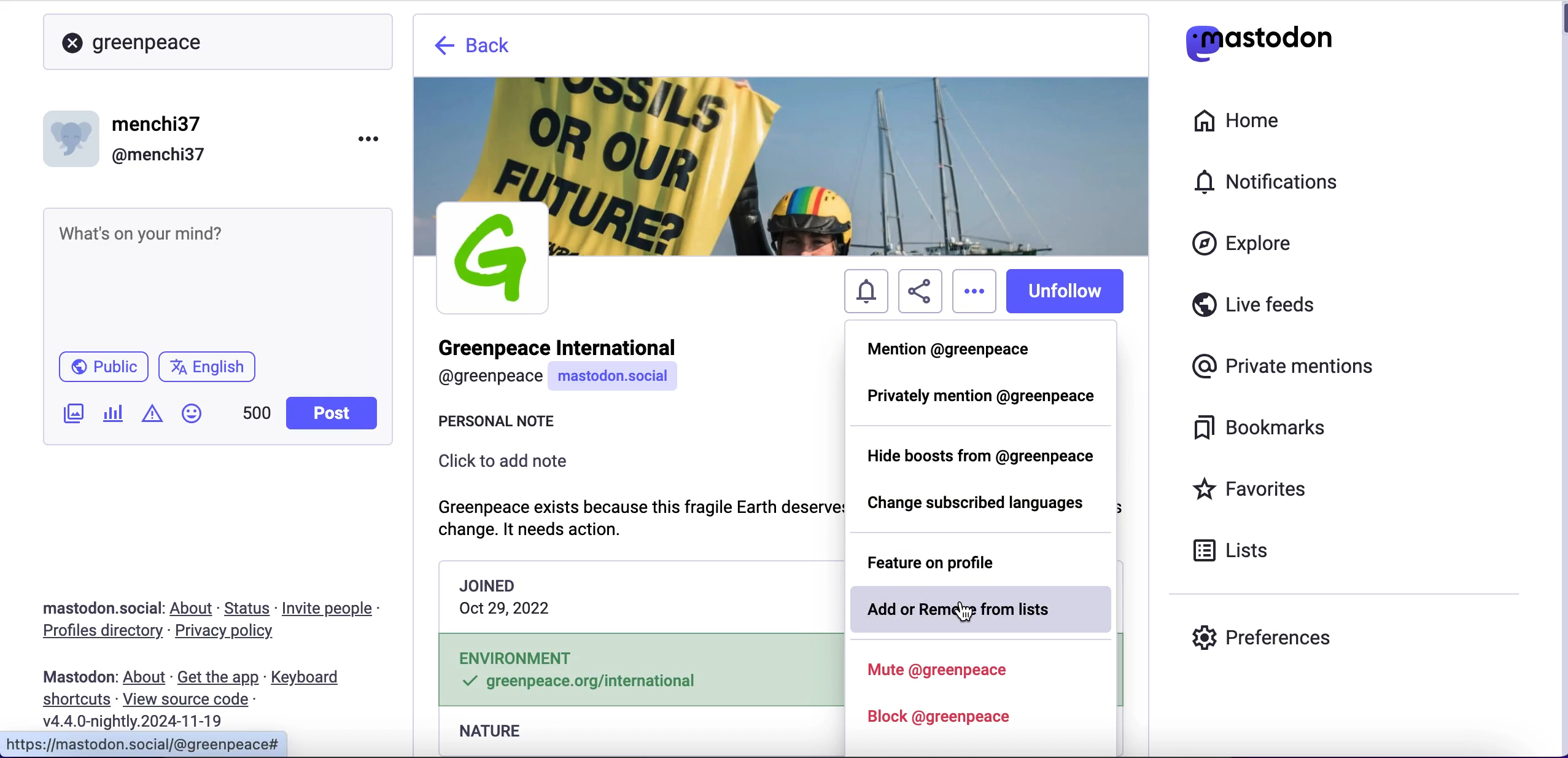 This screenshot has width=1568, height=758. I want to click on public, so click(102, 370).